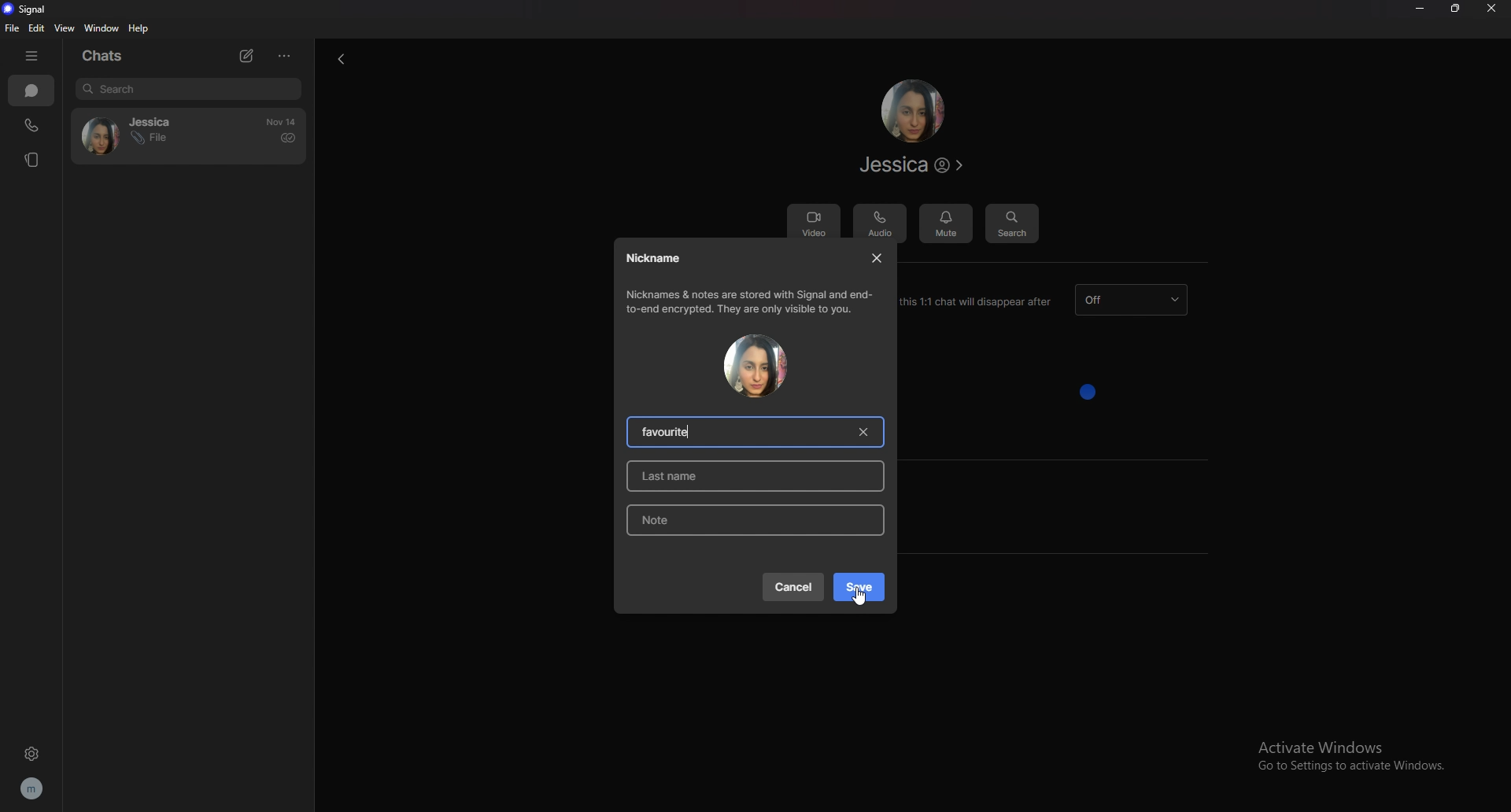  What do you see at coordinates (860, 595) in the screenshot?
I see `cursor` at bounding box center [860, 595].